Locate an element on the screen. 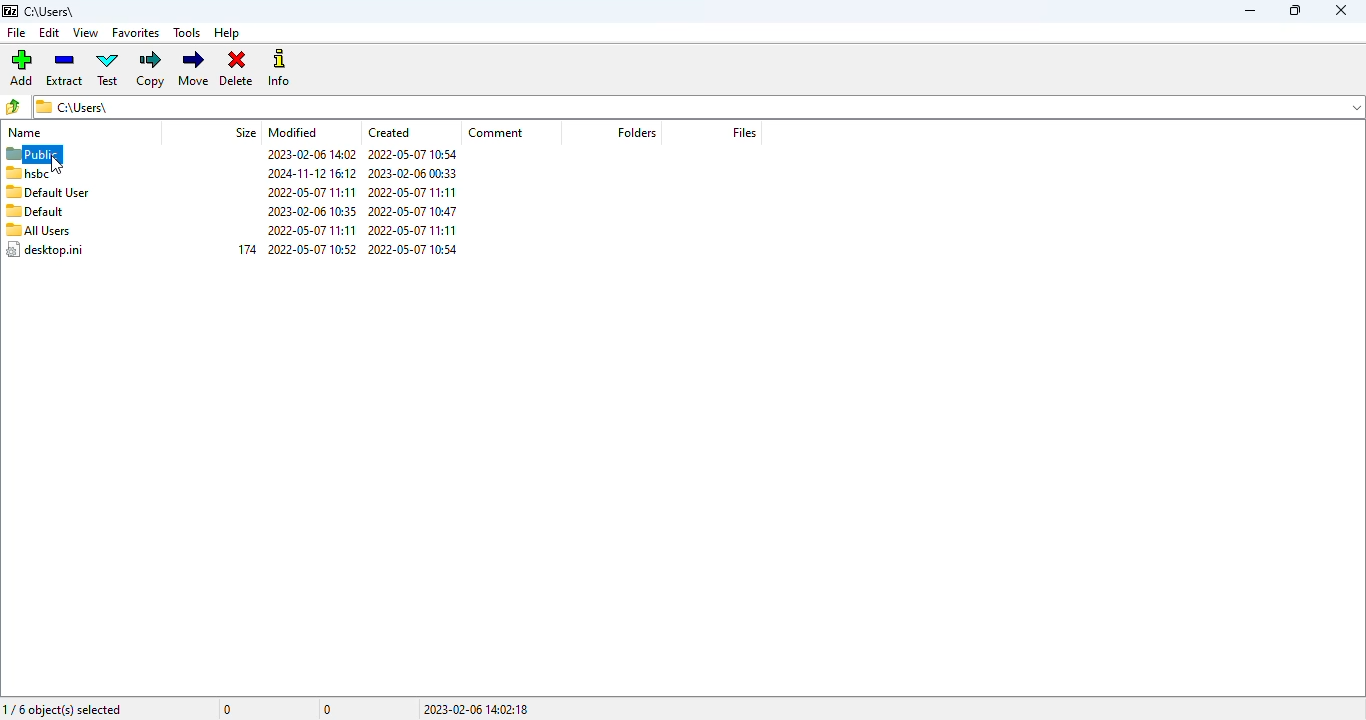 This screenshot has height=720, width=1366. c\Users\ is located at coordinates (695, 108).